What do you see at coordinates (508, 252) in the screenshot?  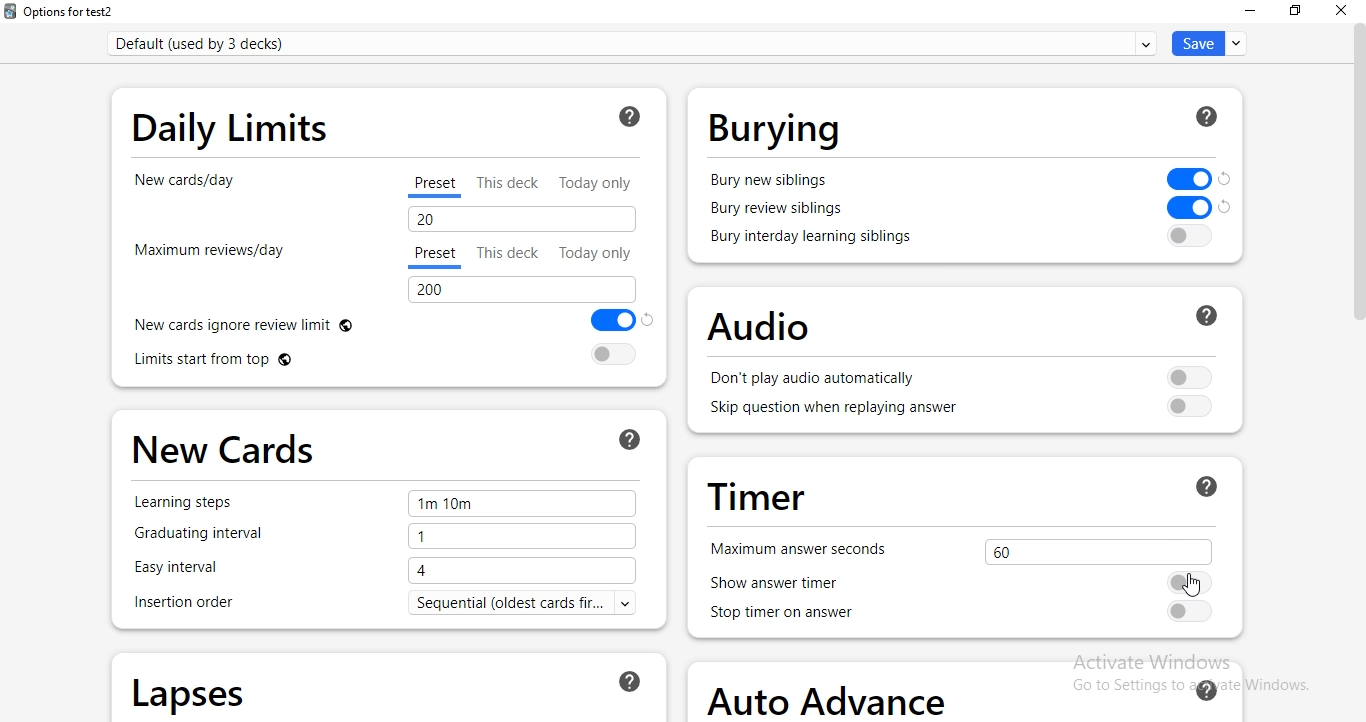 I see `This deck` at bounding box center [508, 252].